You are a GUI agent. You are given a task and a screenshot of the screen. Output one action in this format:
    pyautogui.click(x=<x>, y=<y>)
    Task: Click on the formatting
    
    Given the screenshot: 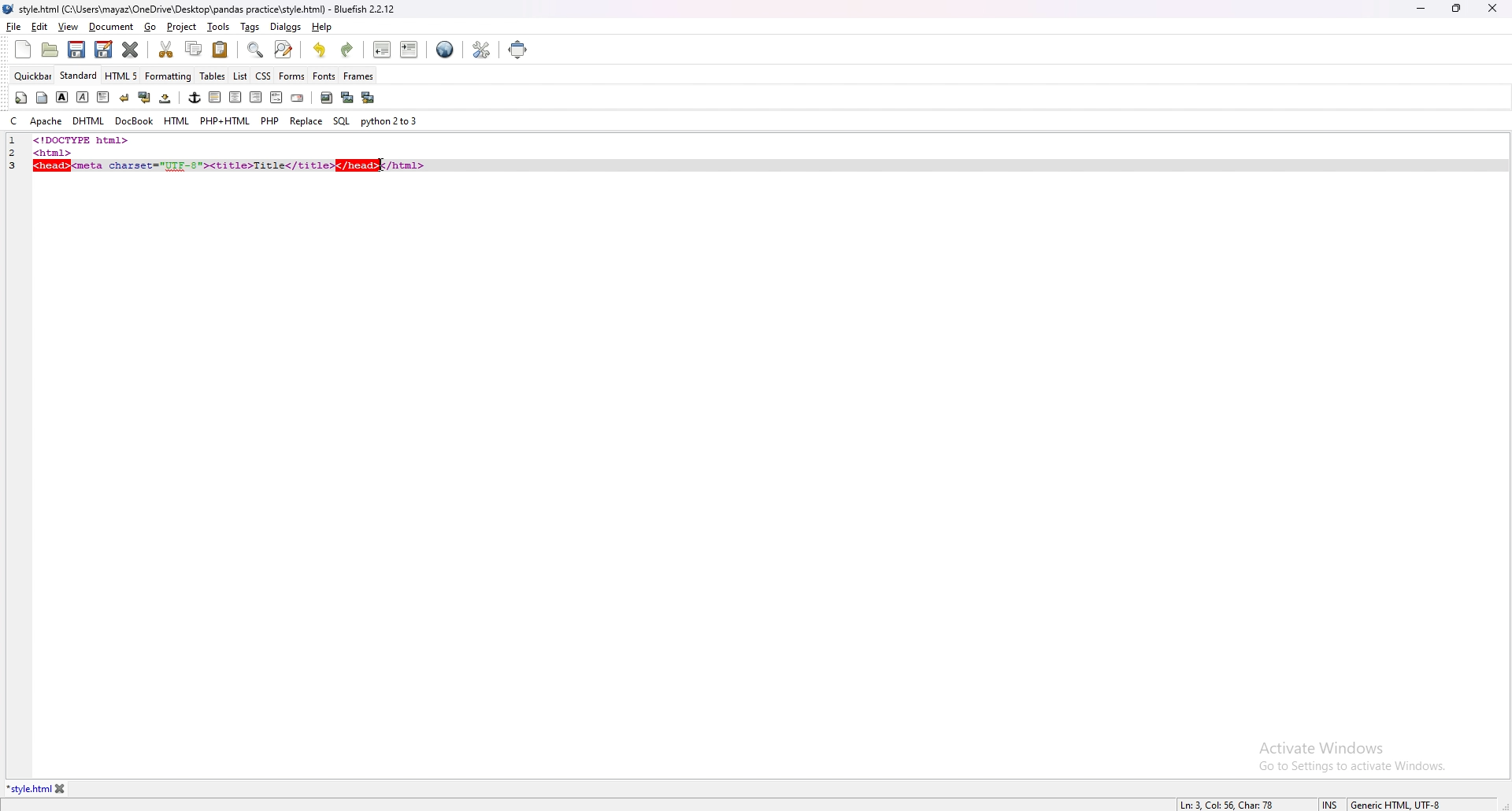 What is the action you would take?
    pyautogui.click(x=169, y=76)
    